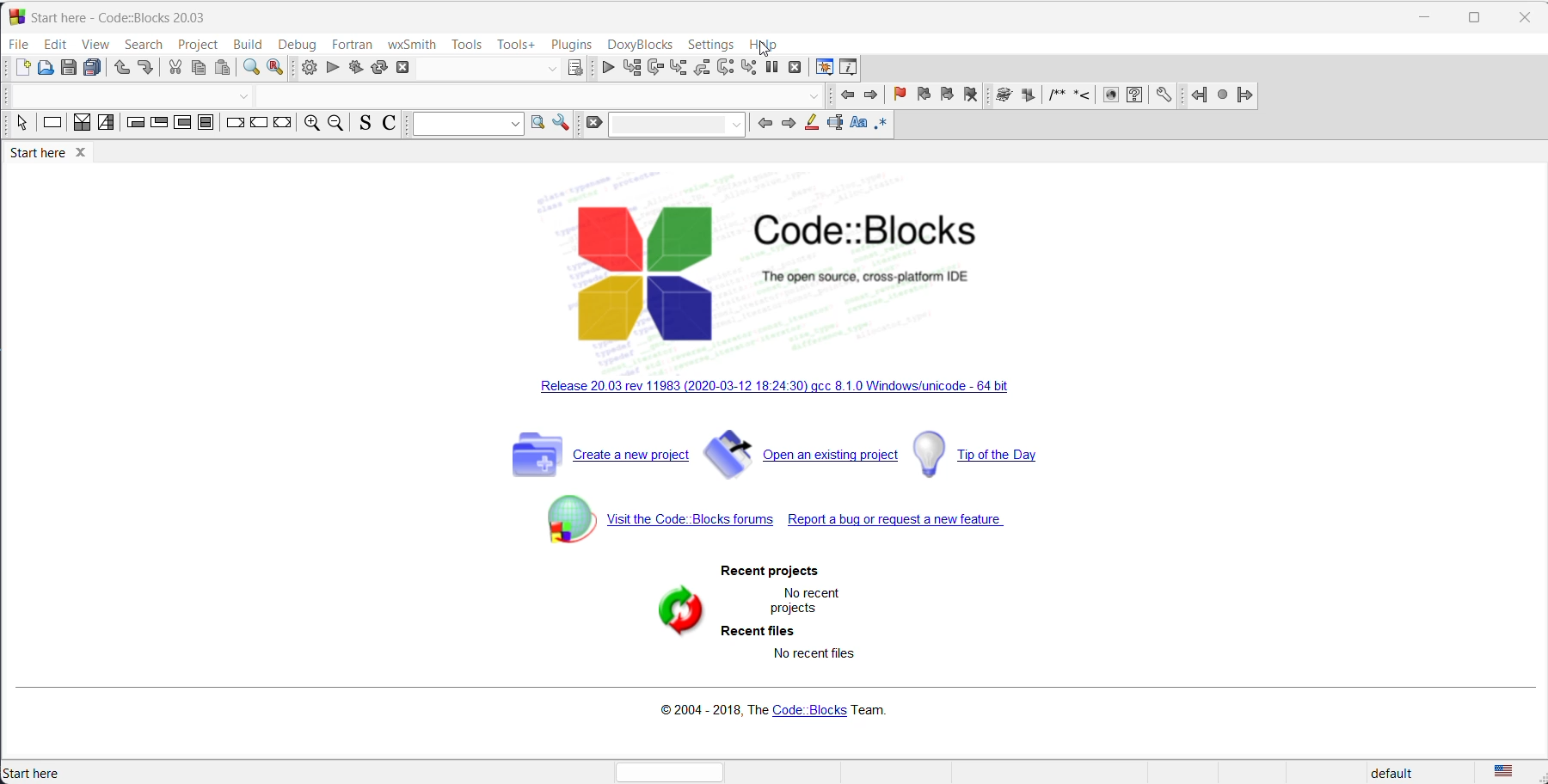  What do you see at coordinates (579, 69) in the screenshot?
I see `target dialog` at bounding box center [579, 69].